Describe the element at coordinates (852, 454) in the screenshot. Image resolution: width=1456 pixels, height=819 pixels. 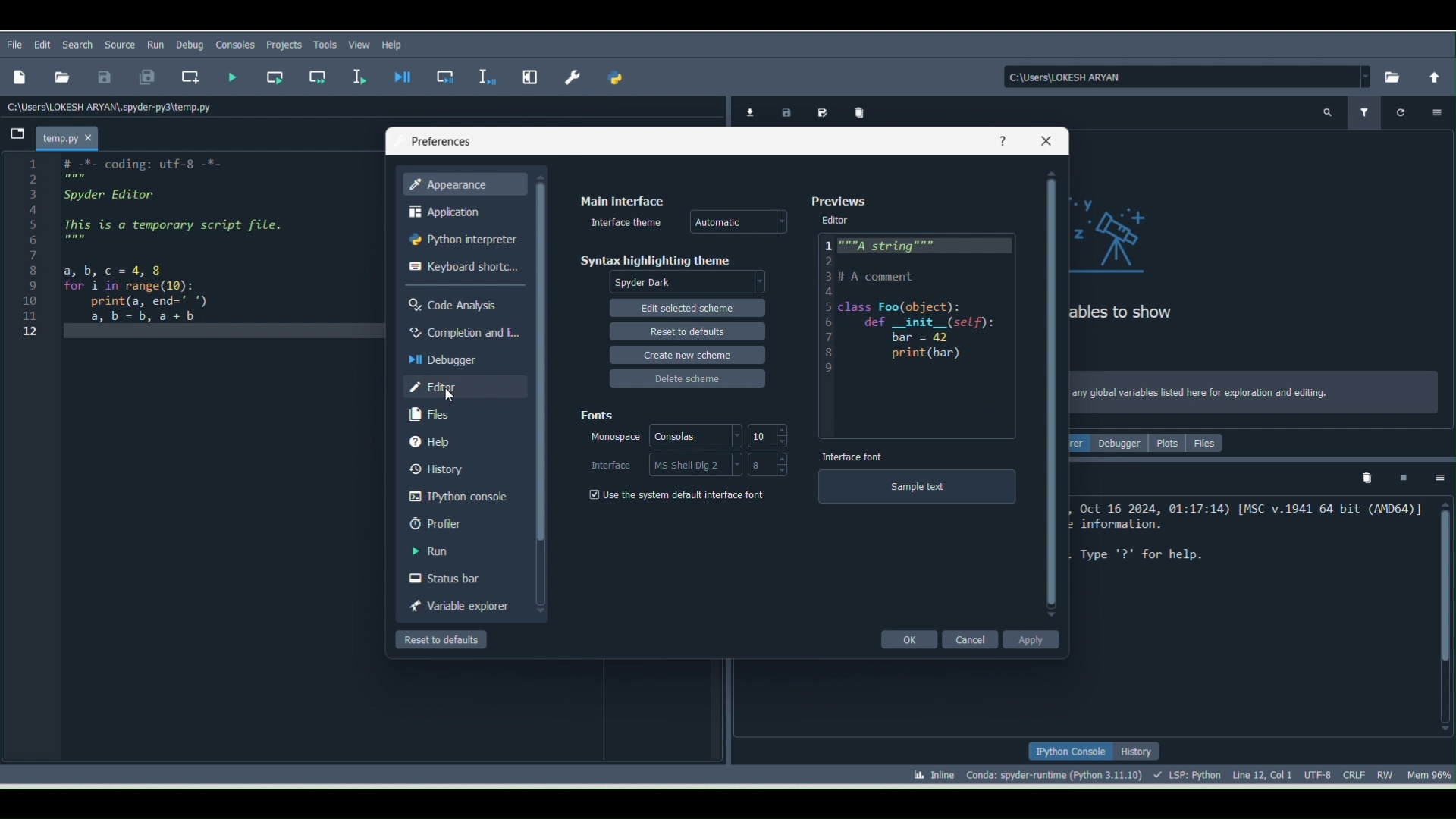
I see `Interface font` at that location.